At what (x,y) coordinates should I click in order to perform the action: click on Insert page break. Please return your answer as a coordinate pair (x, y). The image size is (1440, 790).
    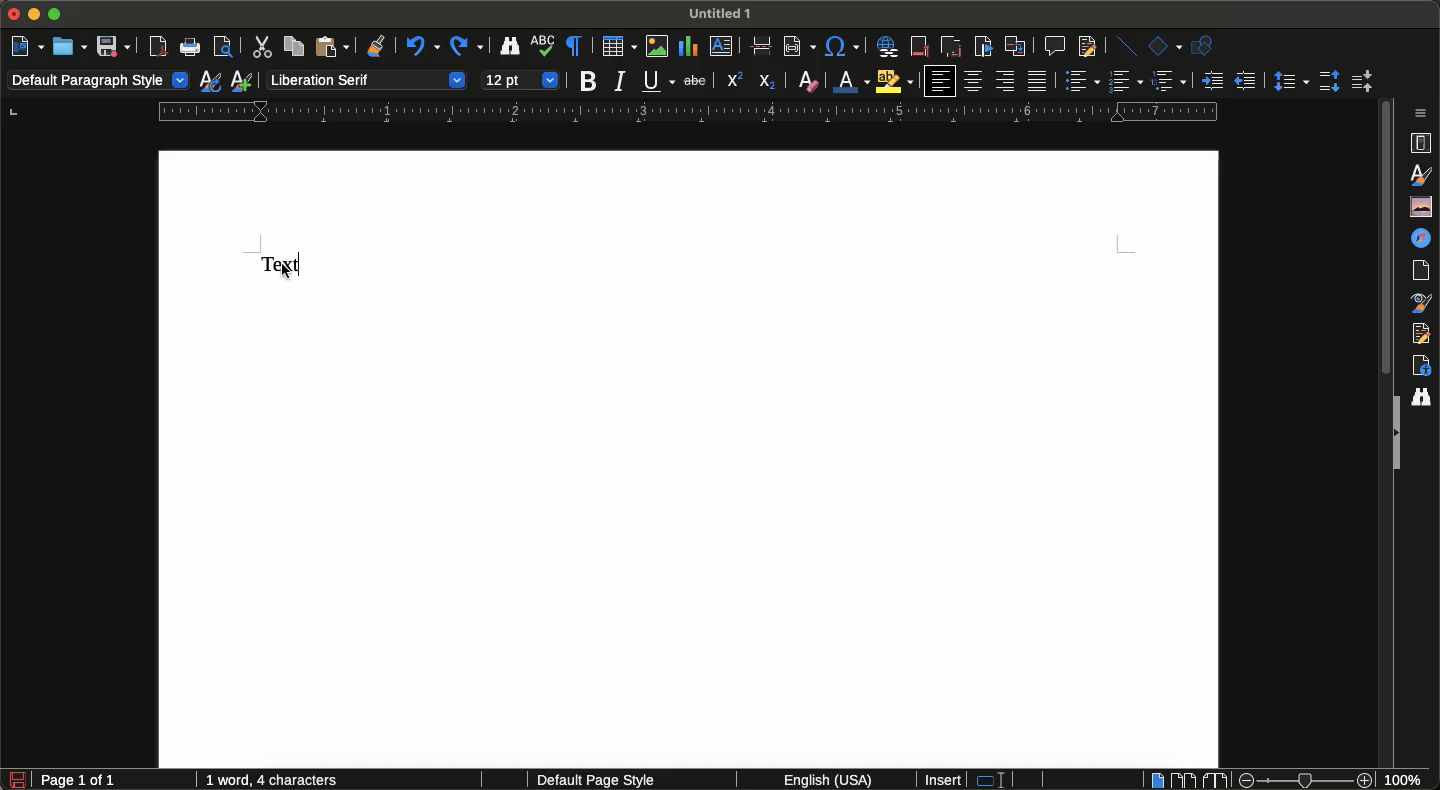
    Looking at the image, I should click on (760, 48).